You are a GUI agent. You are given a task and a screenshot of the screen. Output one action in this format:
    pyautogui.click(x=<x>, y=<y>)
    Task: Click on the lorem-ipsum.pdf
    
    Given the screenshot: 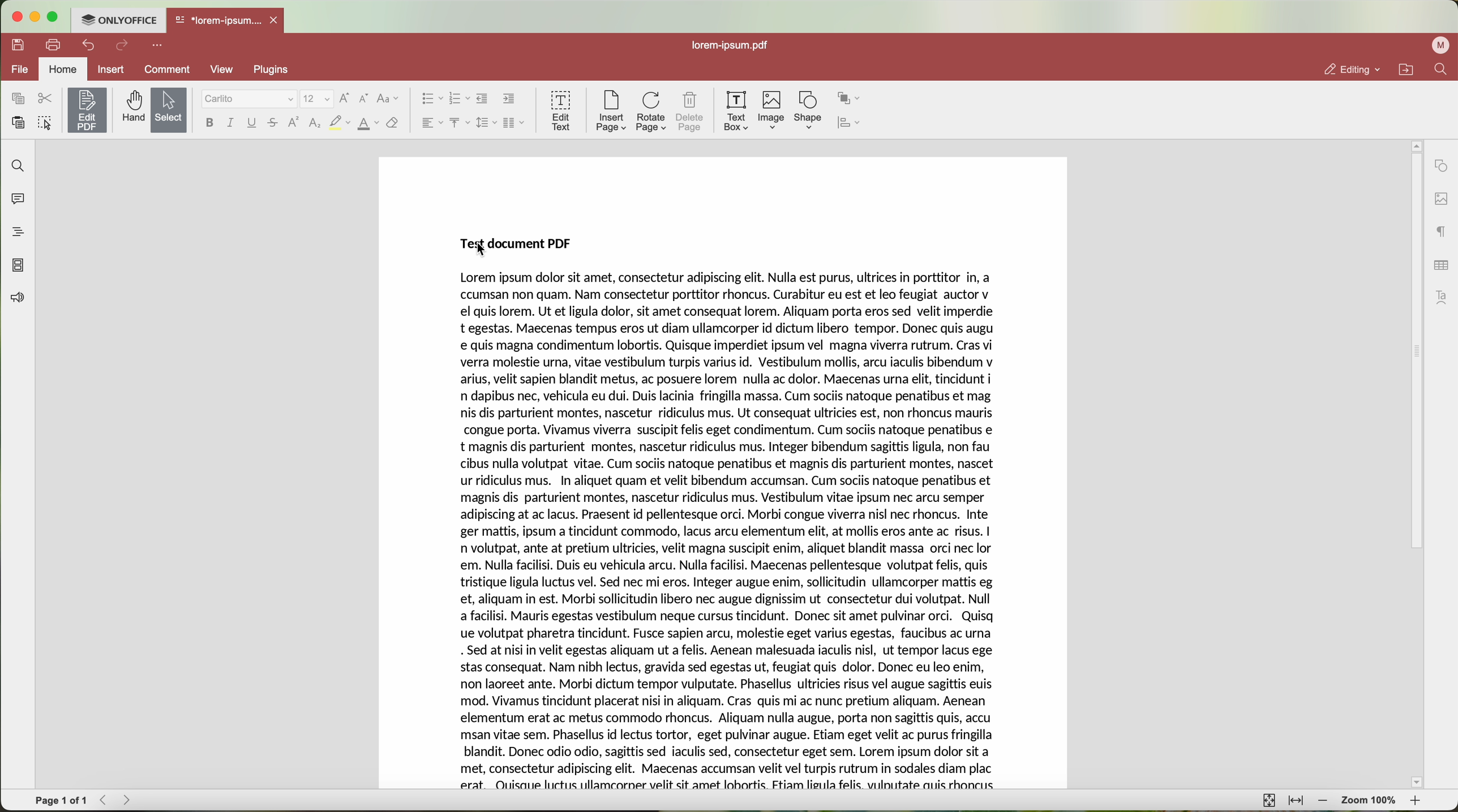 What is the action you would take?
    pyautogui.click(x=728, y=46)
    